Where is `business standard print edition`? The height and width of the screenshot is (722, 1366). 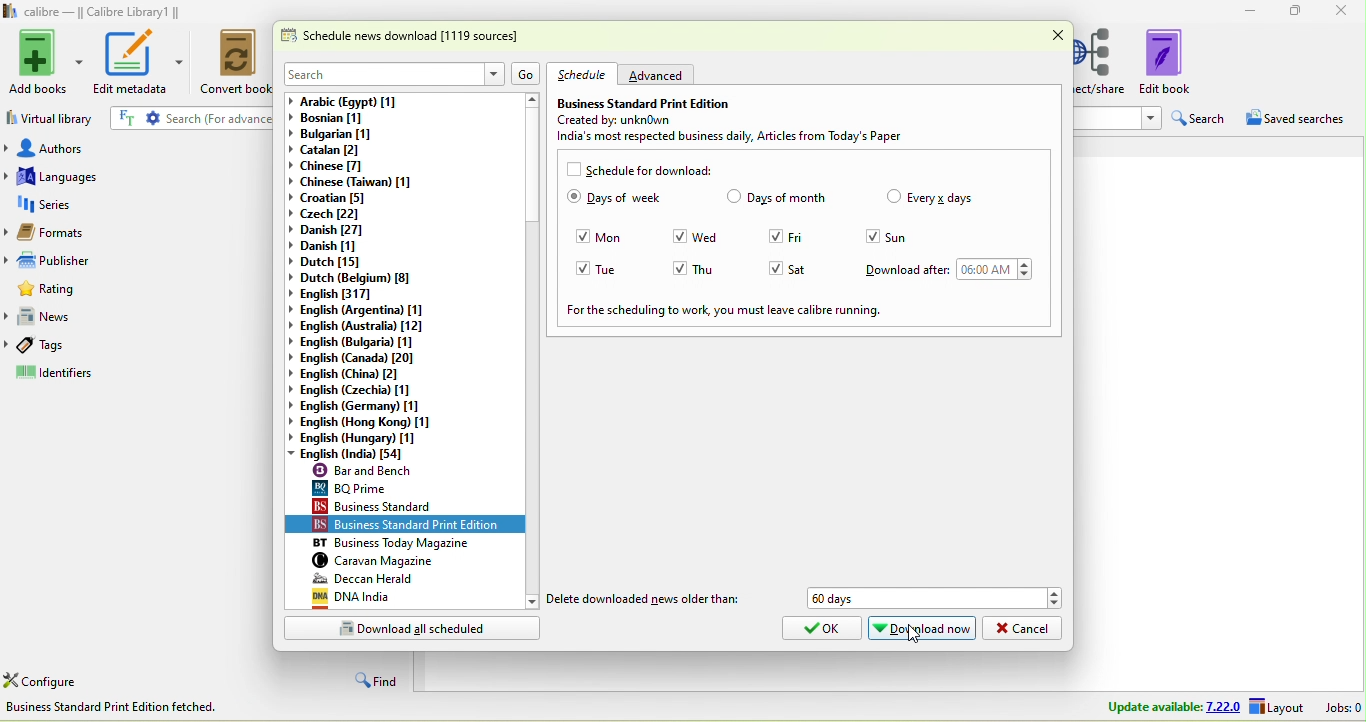 business standard print edition is located at coordinates (645, 102).